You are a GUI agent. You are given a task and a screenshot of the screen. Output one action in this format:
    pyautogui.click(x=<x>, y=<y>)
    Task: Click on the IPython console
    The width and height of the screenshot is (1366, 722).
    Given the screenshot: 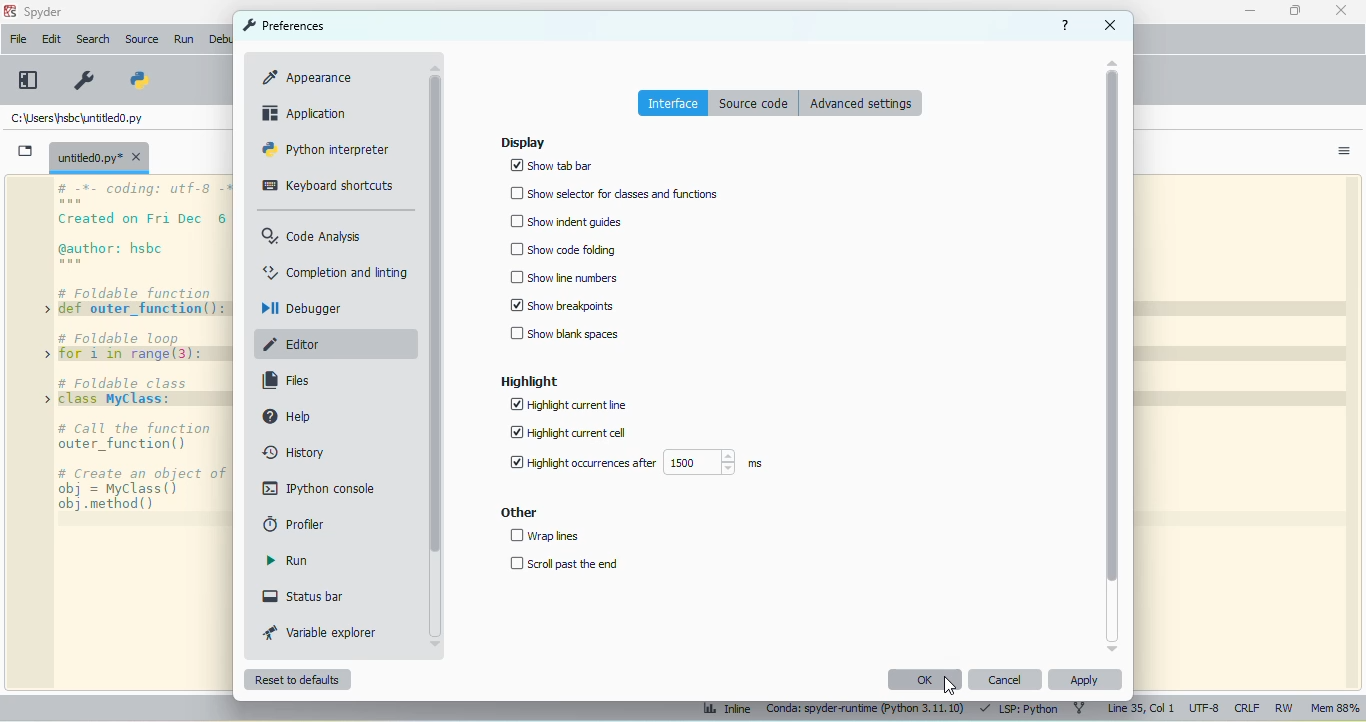 What is the action you would take?
    pyautogui.click(x=321, y=487)
    